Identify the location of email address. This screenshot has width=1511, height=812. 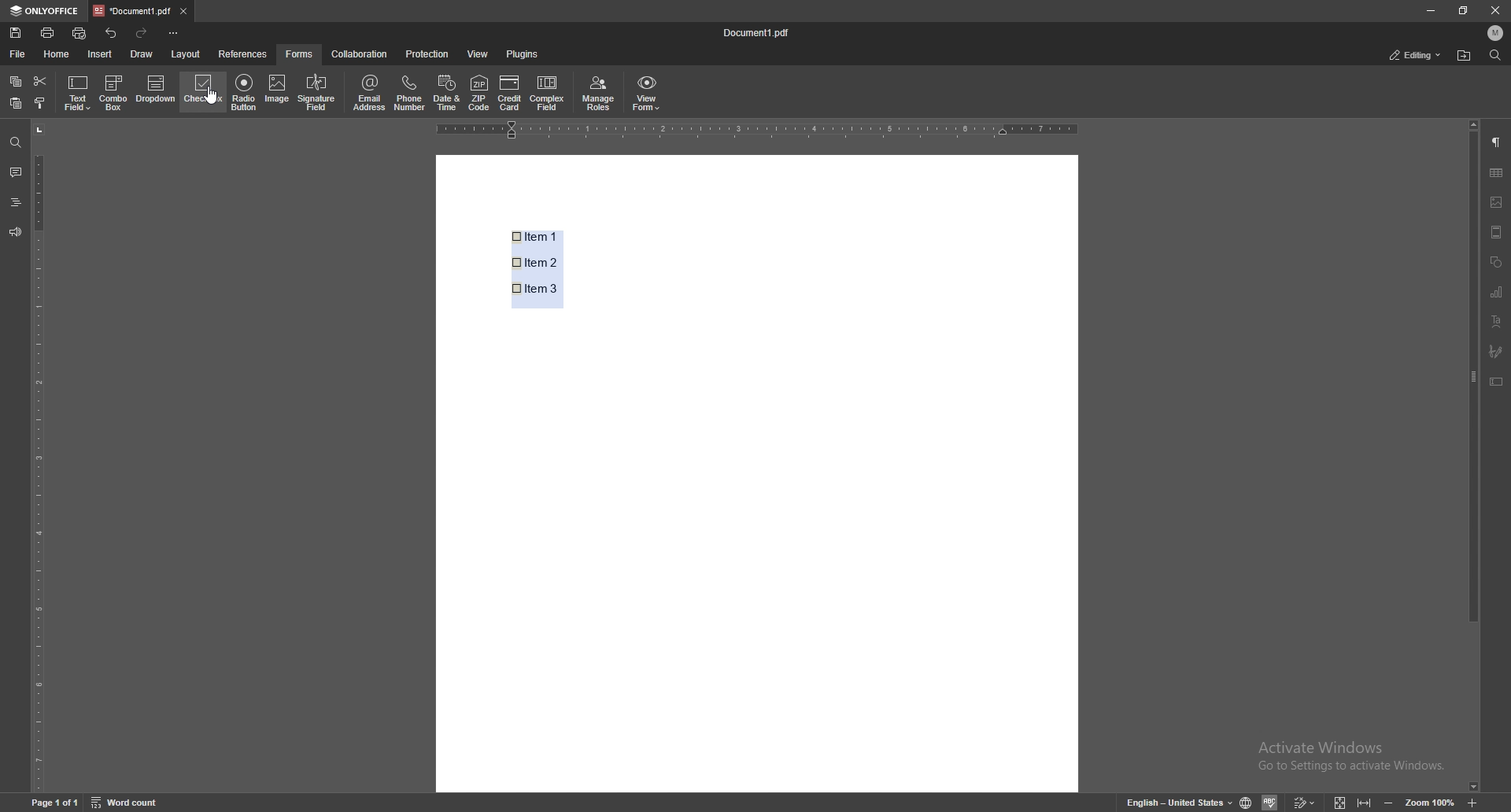
(370, 93).